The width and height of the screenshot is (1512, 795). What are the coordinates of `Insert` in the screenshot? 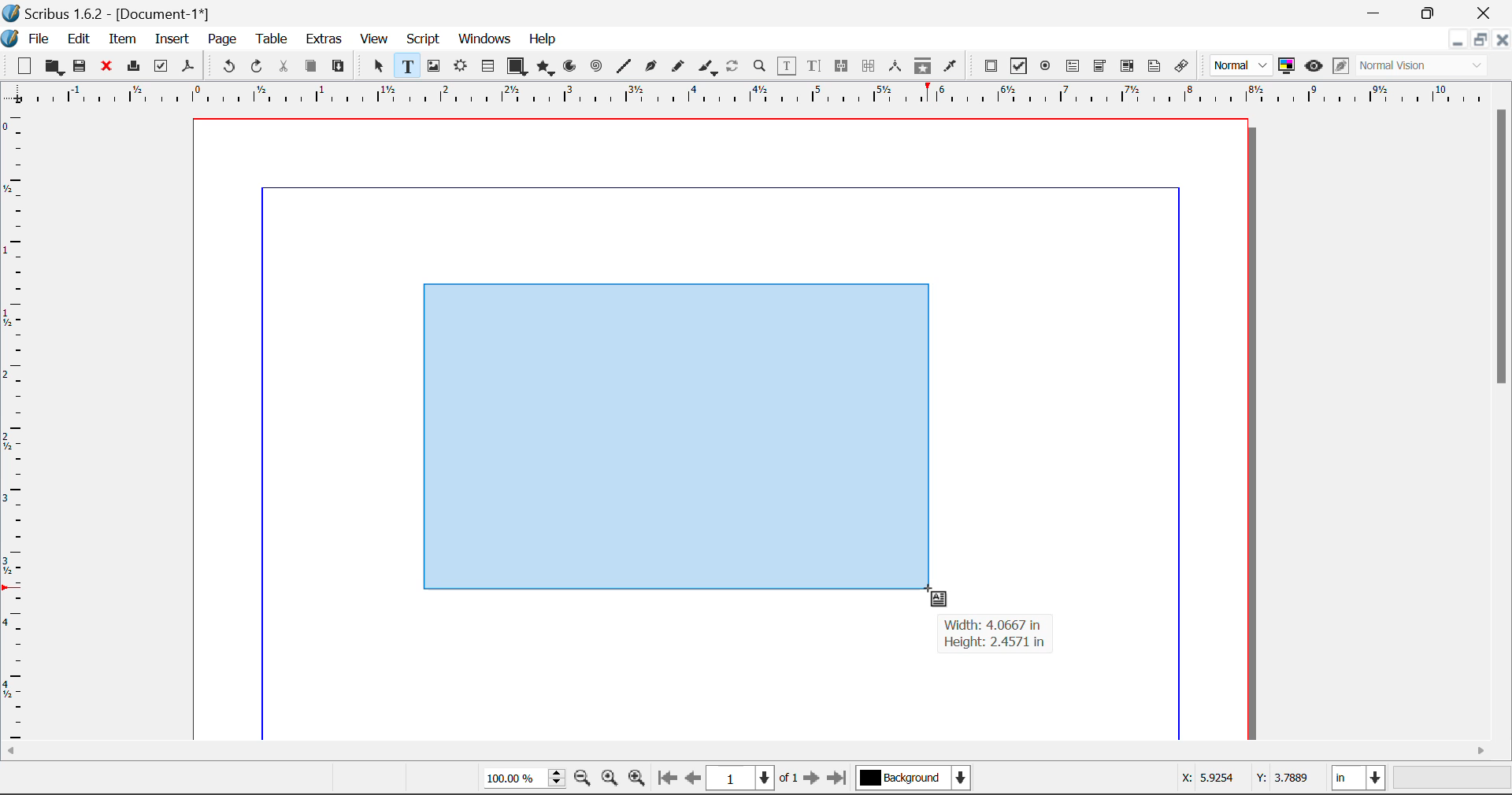 It's located at (171, 39).